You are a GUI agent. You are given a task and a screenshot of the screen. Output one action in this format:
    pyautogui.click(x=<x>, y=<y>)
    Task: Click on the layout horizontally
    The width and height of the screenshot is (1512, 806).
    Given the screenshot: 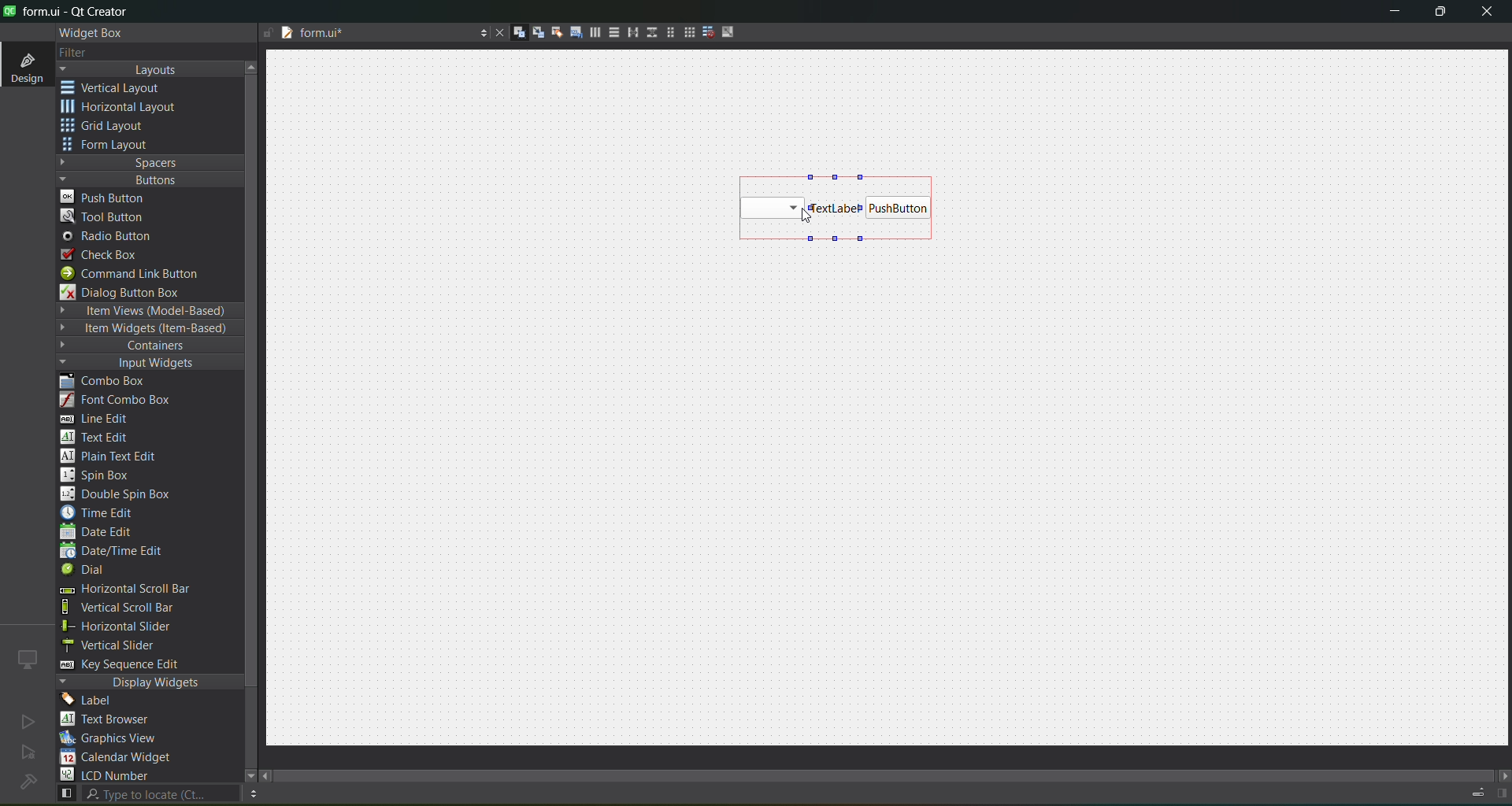 What is the action you would take?
    pyautogui.click(x=590, y=35)
    